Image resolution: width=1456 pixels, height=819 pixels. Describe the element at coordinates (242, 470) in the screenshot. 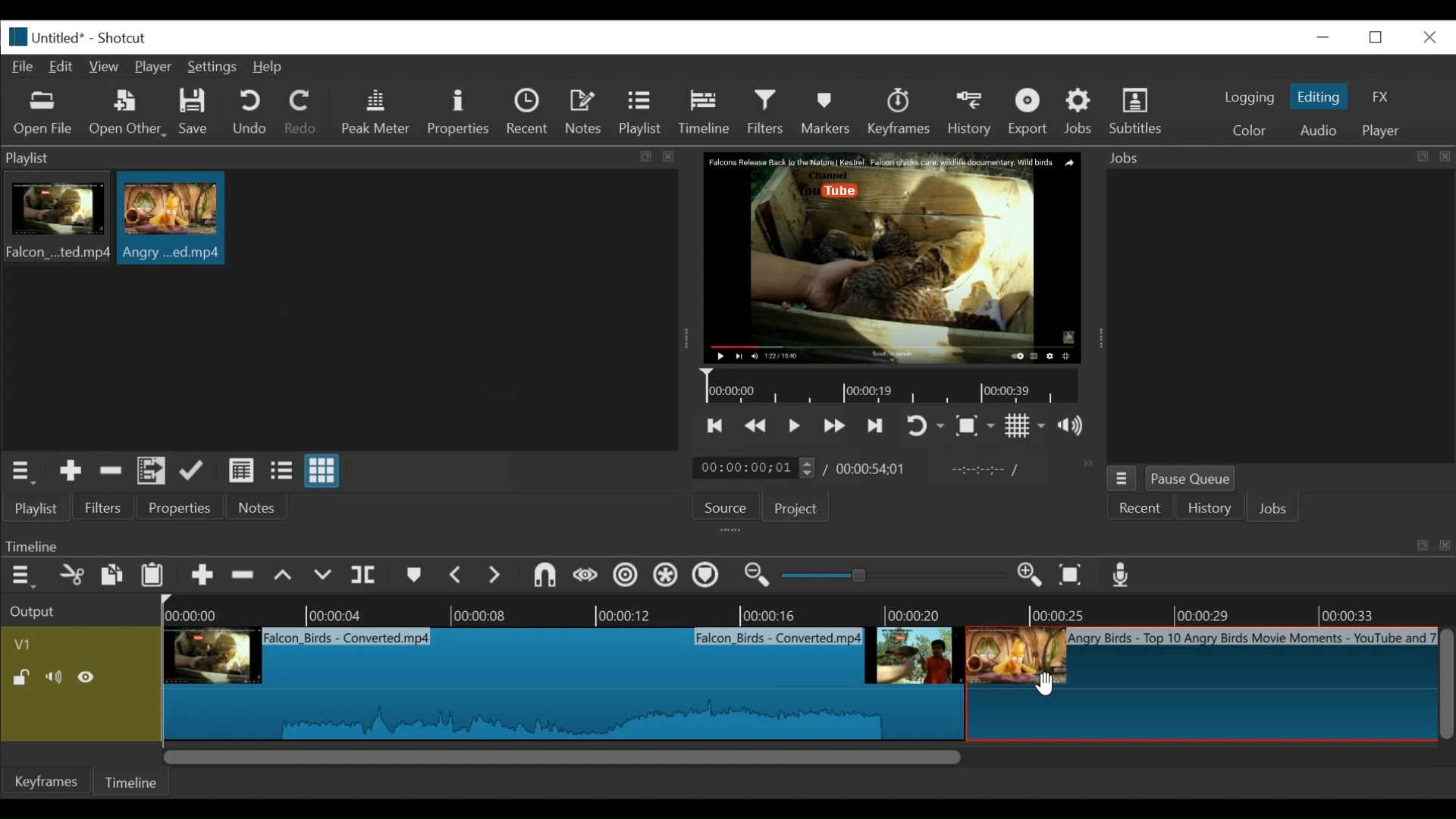

I see `view as details` at that location.